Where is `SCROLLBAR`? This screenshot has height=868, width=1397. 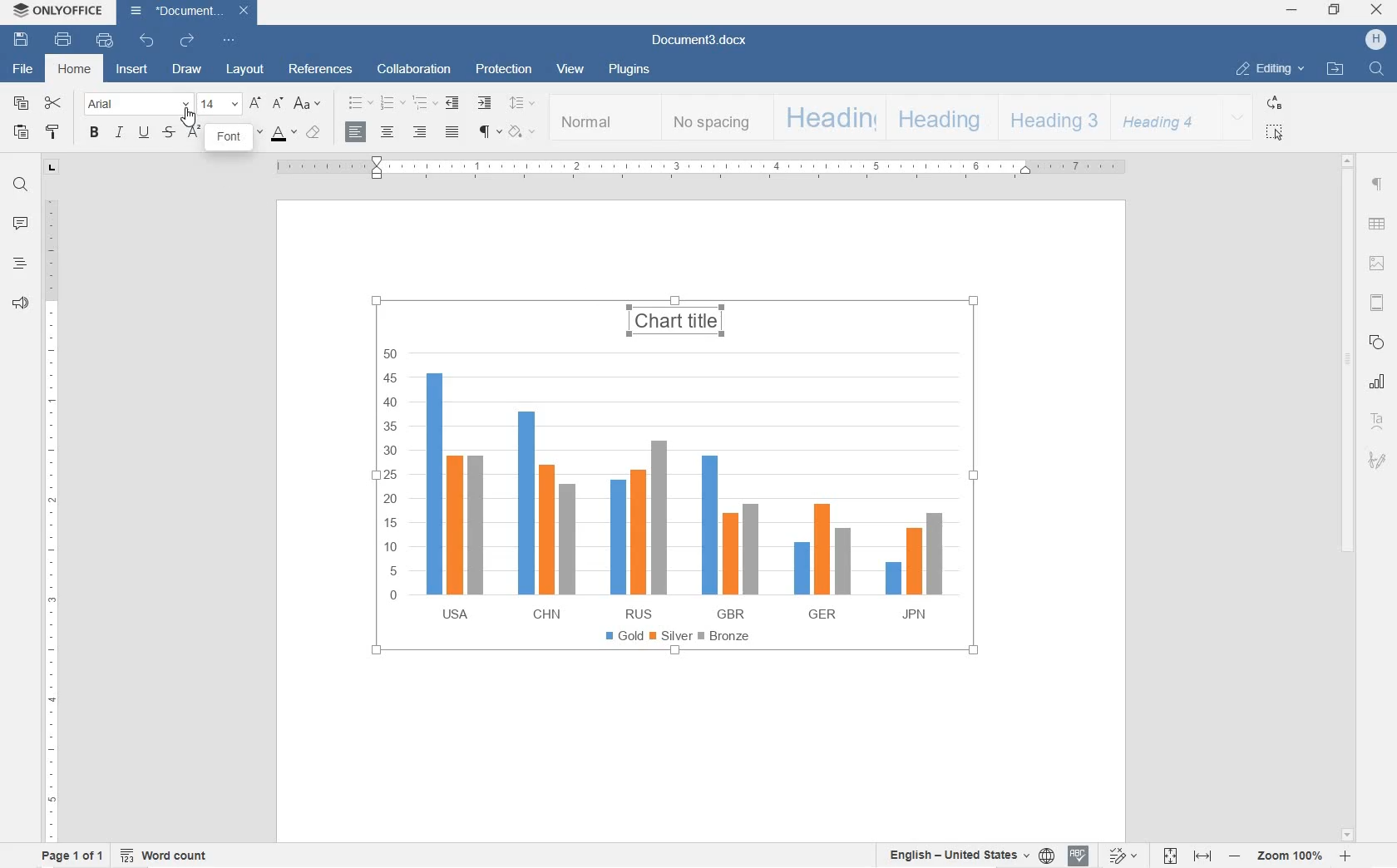 SCROLLBAR is located at coordinates (1346, 498).